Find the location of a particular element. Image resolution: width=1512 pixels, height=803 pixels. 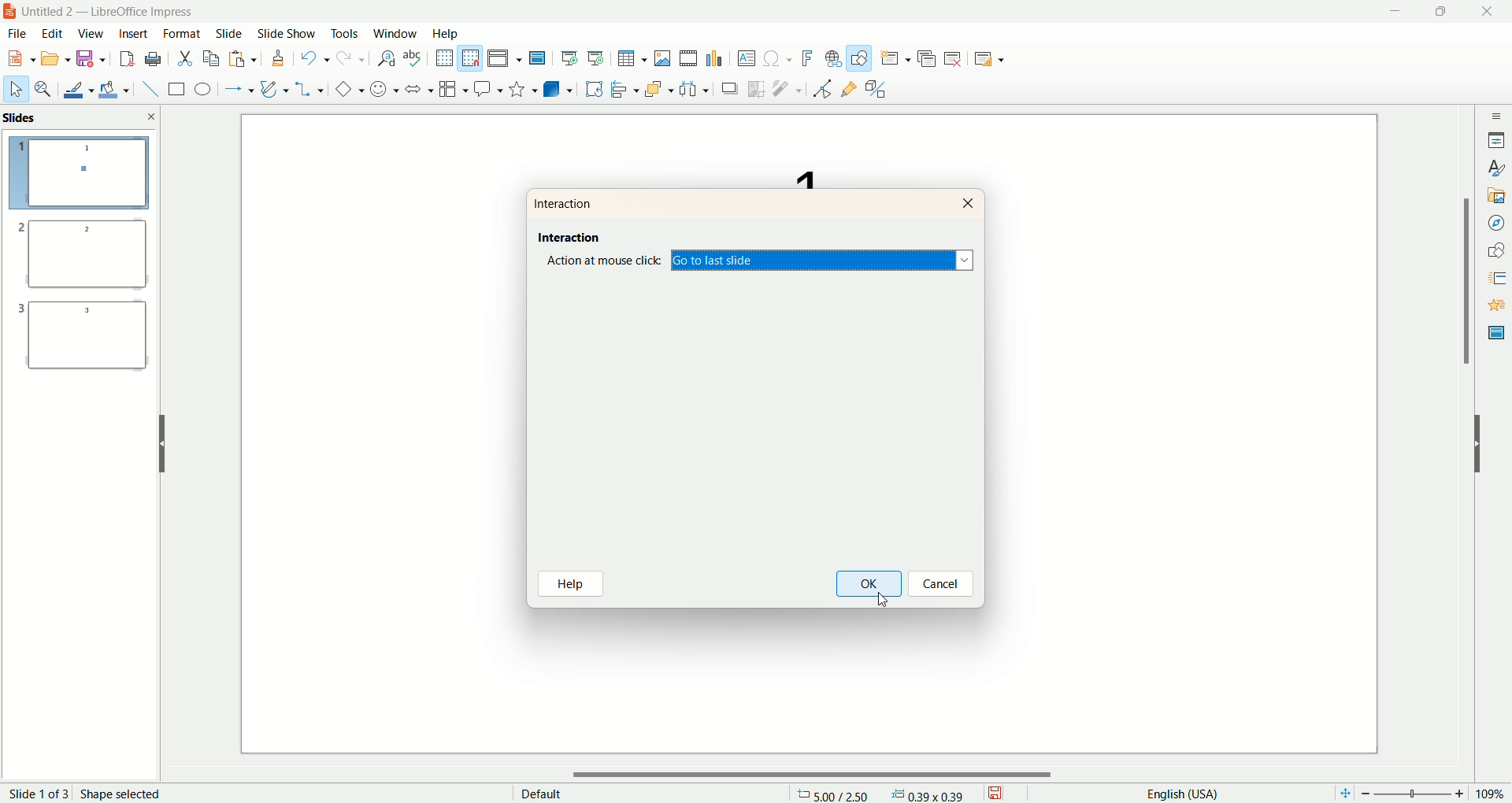

insert line is located at coordinates (145, 89).